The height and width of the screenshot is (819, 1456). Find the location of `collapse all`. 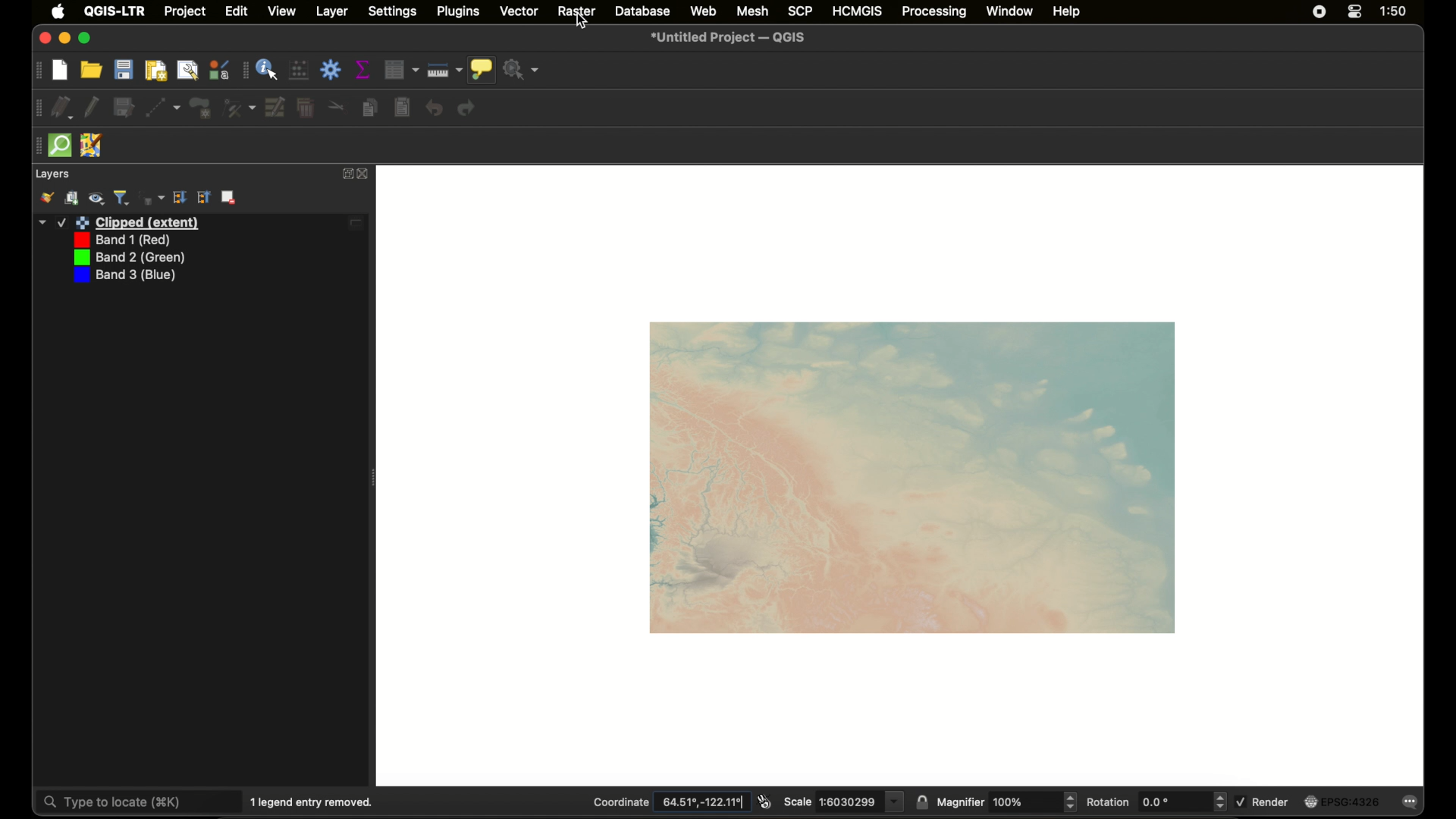

collapse all is located at coordinates (180, 197).